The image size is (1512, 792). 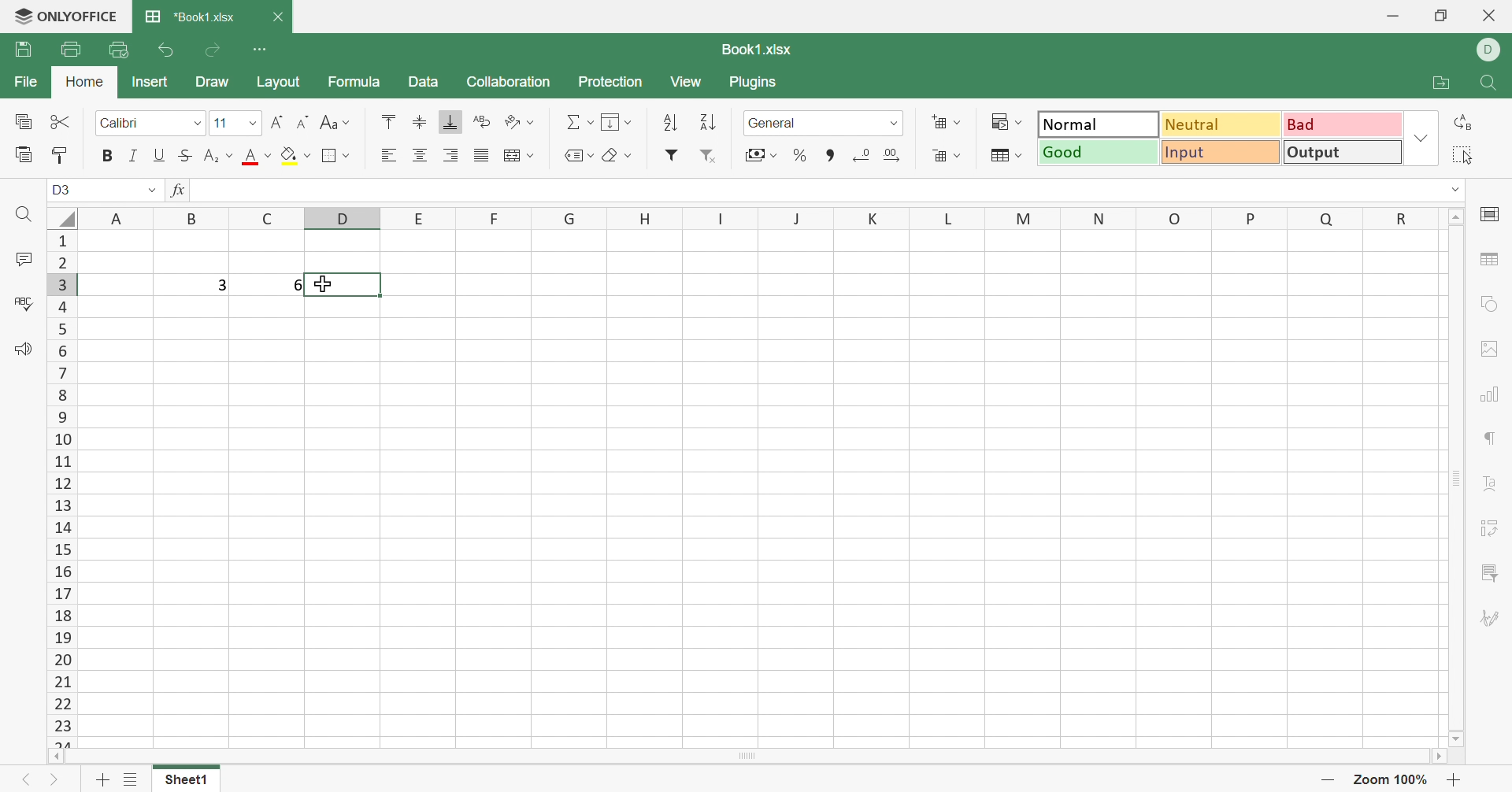 I want to click on Scroll bar, so click(x=1458, y=477).